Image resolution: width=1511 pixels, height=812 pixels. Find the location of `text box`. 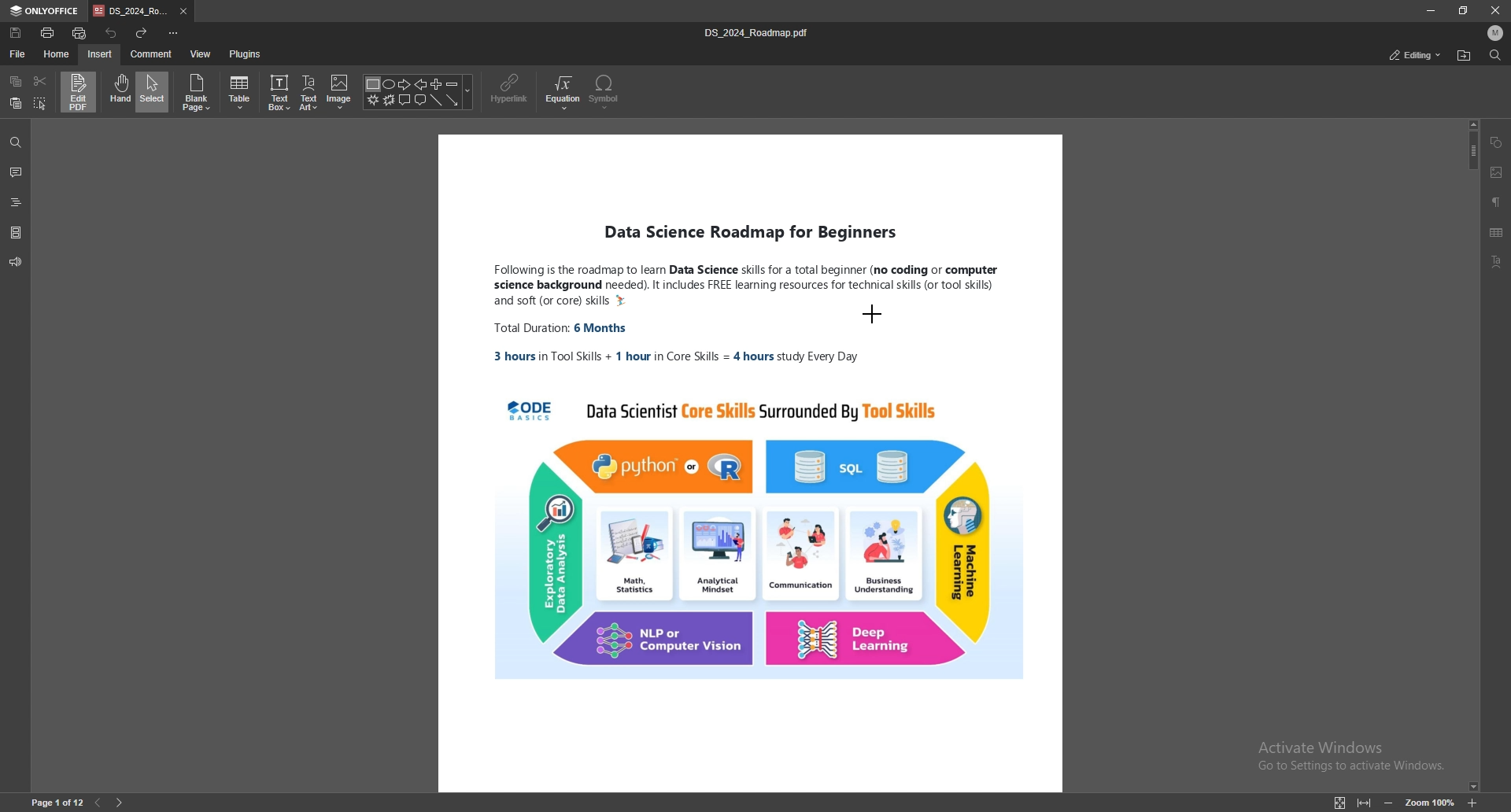

text box is located at coordinates (280, 92).